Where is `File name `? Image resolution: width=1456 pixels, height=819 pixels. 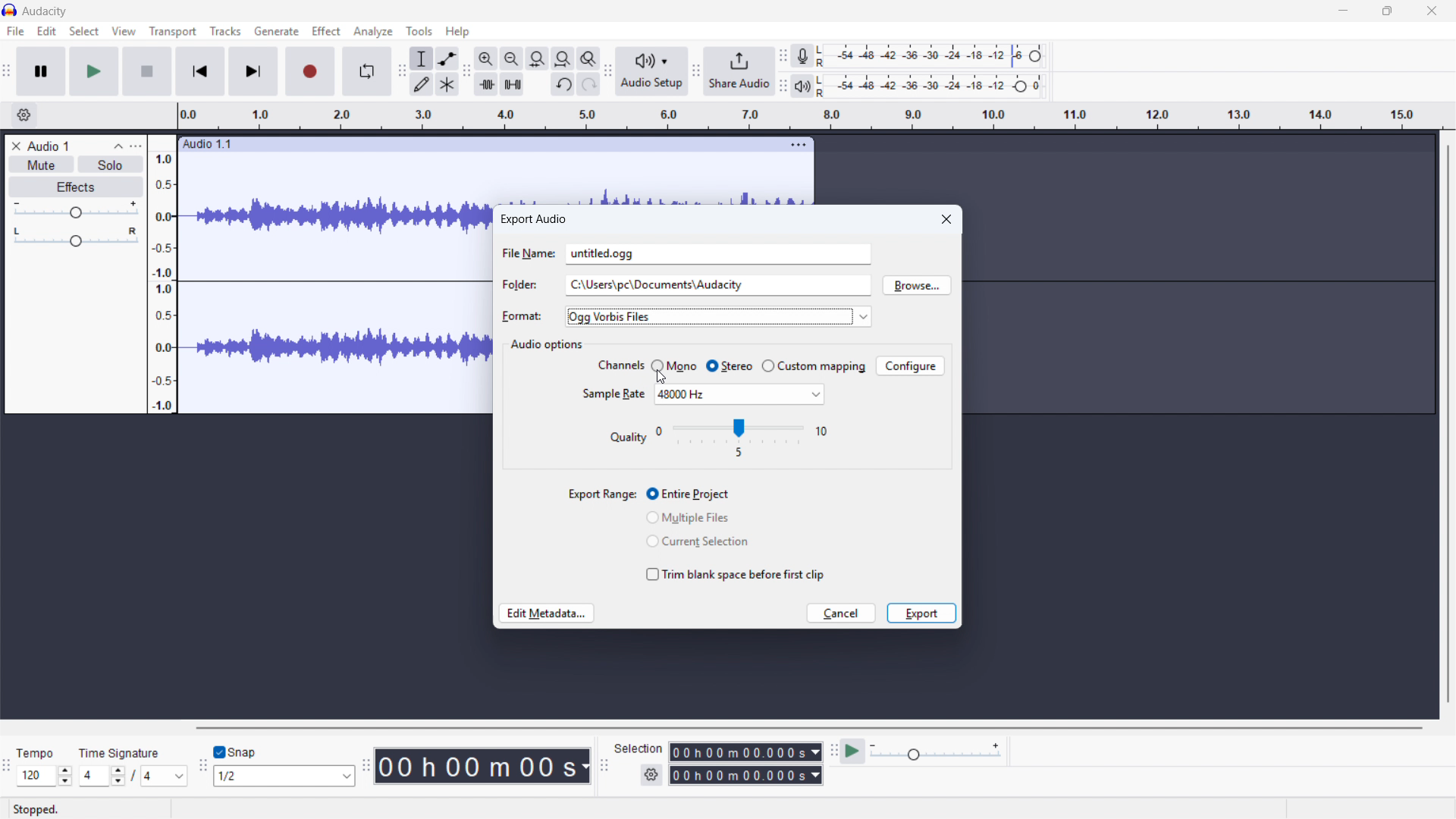
File name  is located at coordinates (719, 253).